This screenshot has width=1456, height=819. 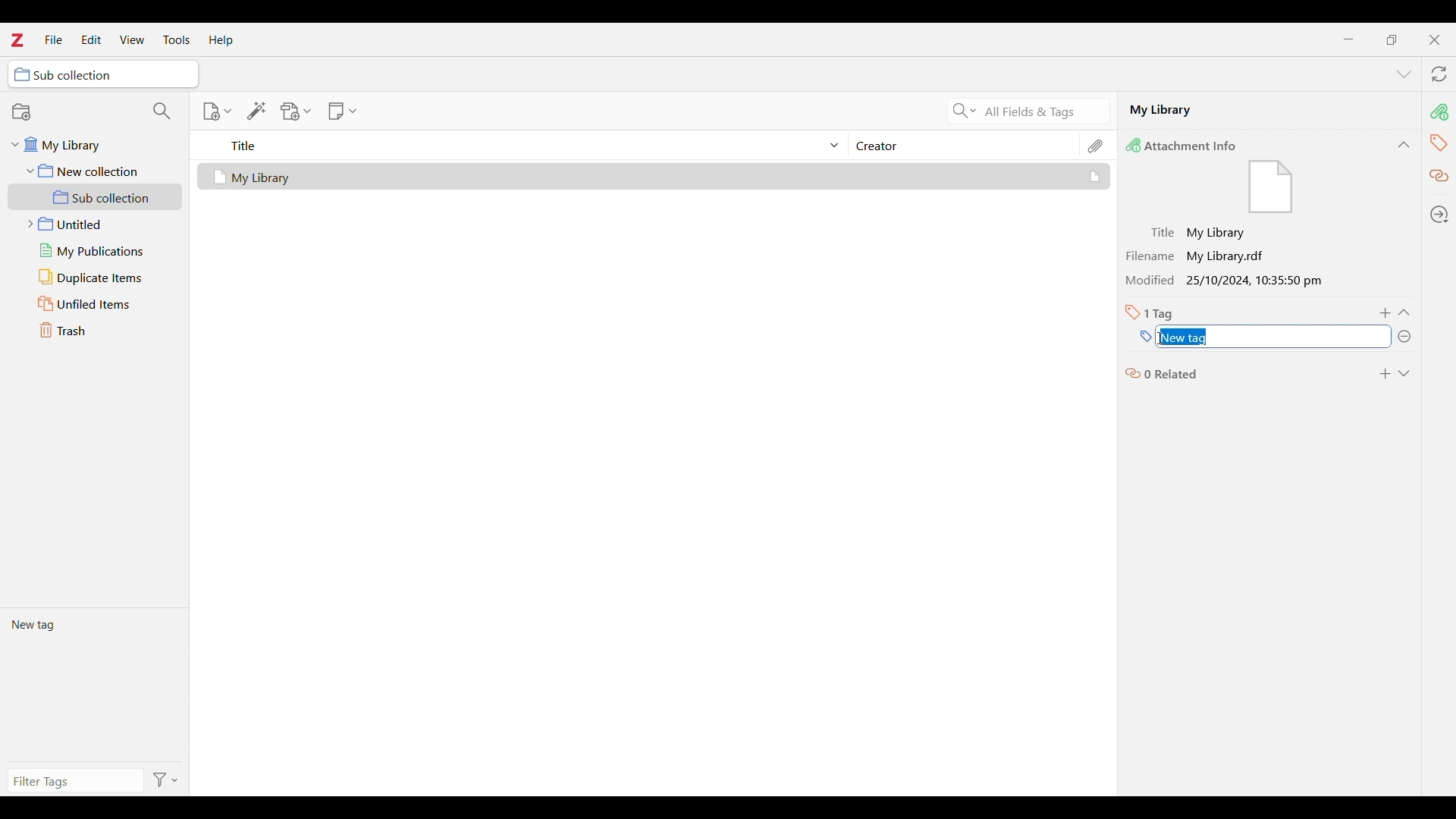 I want to click on New collection, so click(x=21, y=111).